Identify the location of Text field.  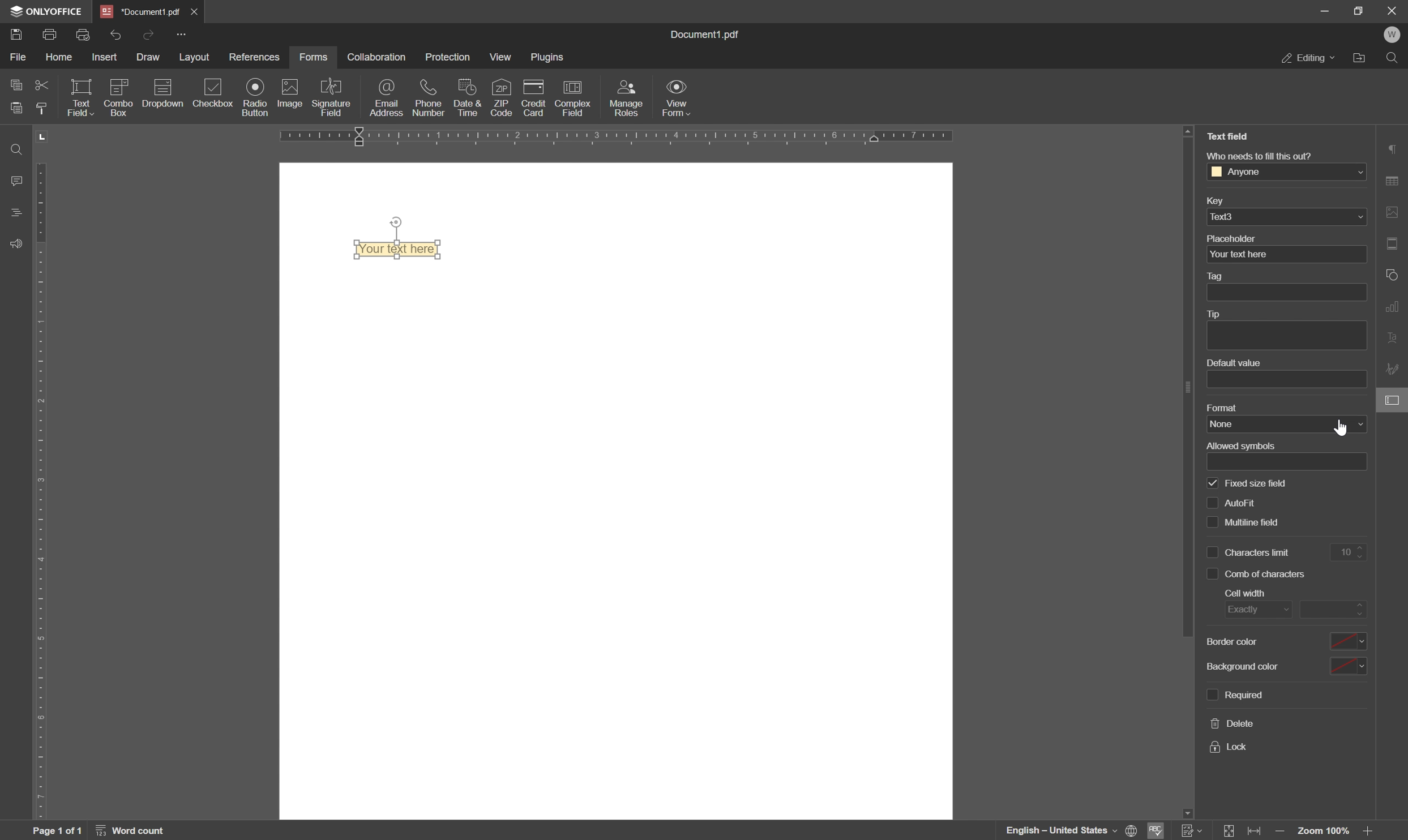
(403, 250).